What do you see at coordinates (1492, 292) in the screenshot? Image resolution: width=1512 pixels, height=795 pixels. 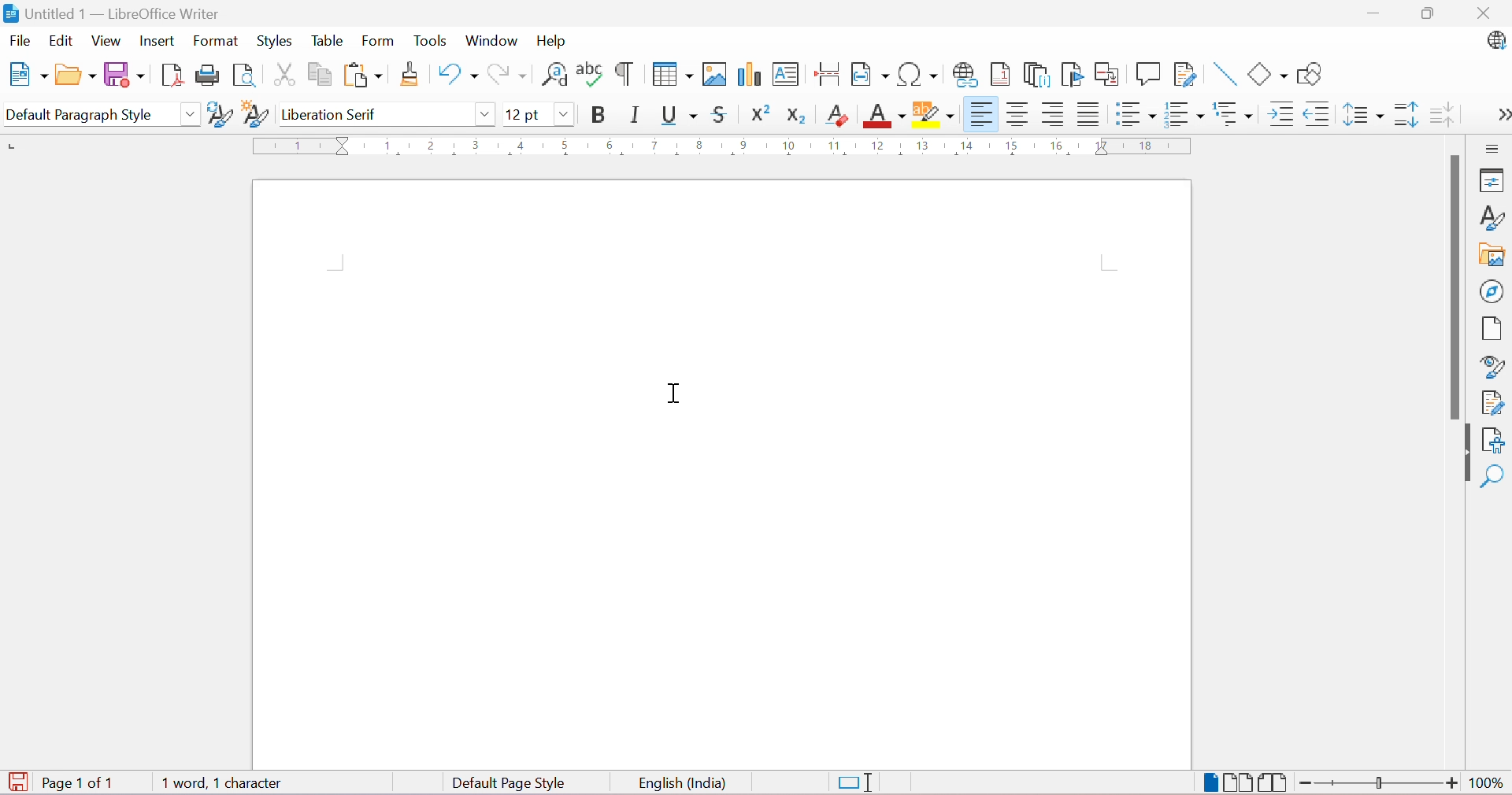 I see `Navigator` at bounding box center [1492, 292].